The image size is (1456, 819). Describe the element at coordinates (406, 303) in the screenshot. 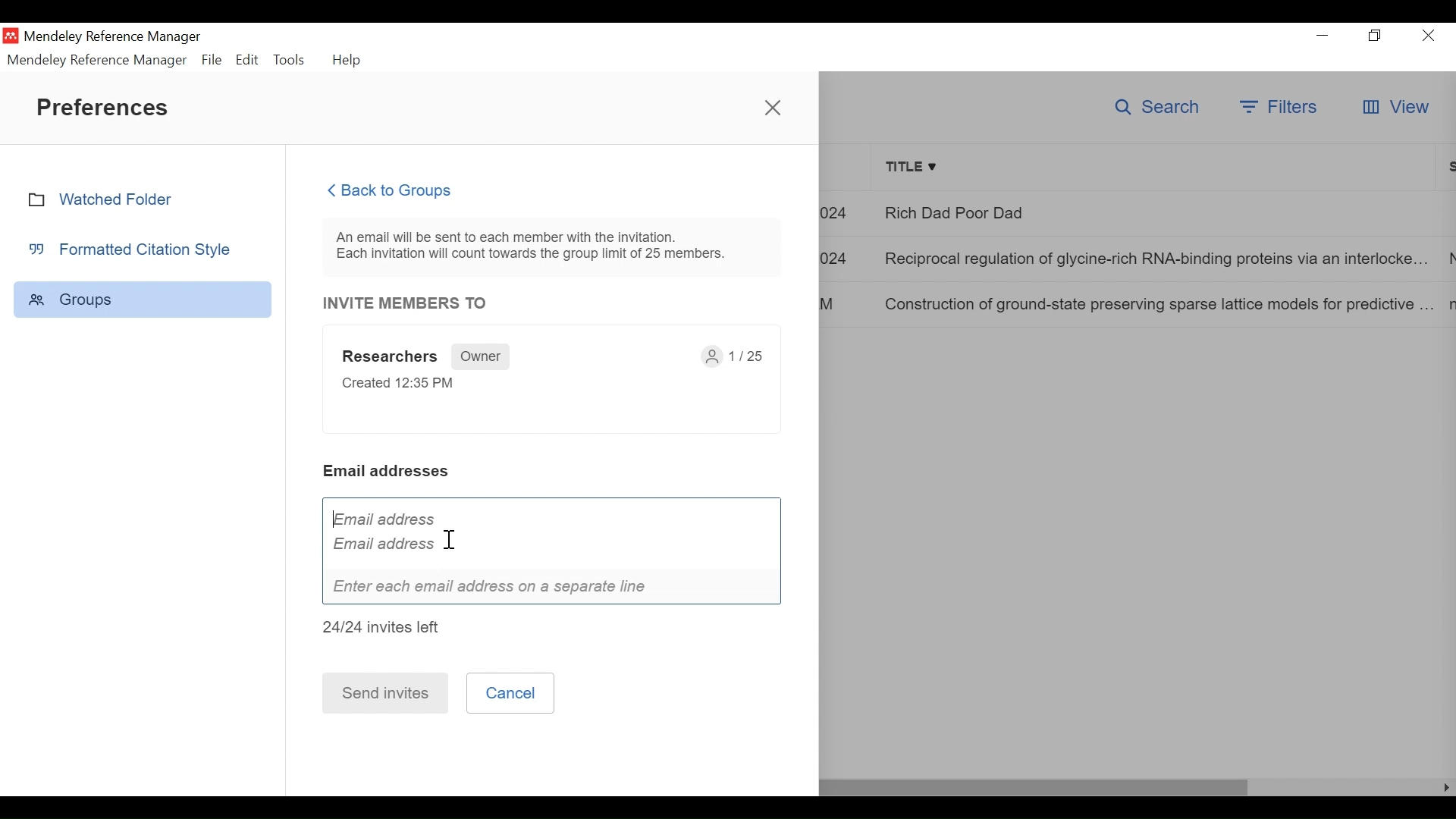

I see `INVITE MEMBERS TO` at that location.